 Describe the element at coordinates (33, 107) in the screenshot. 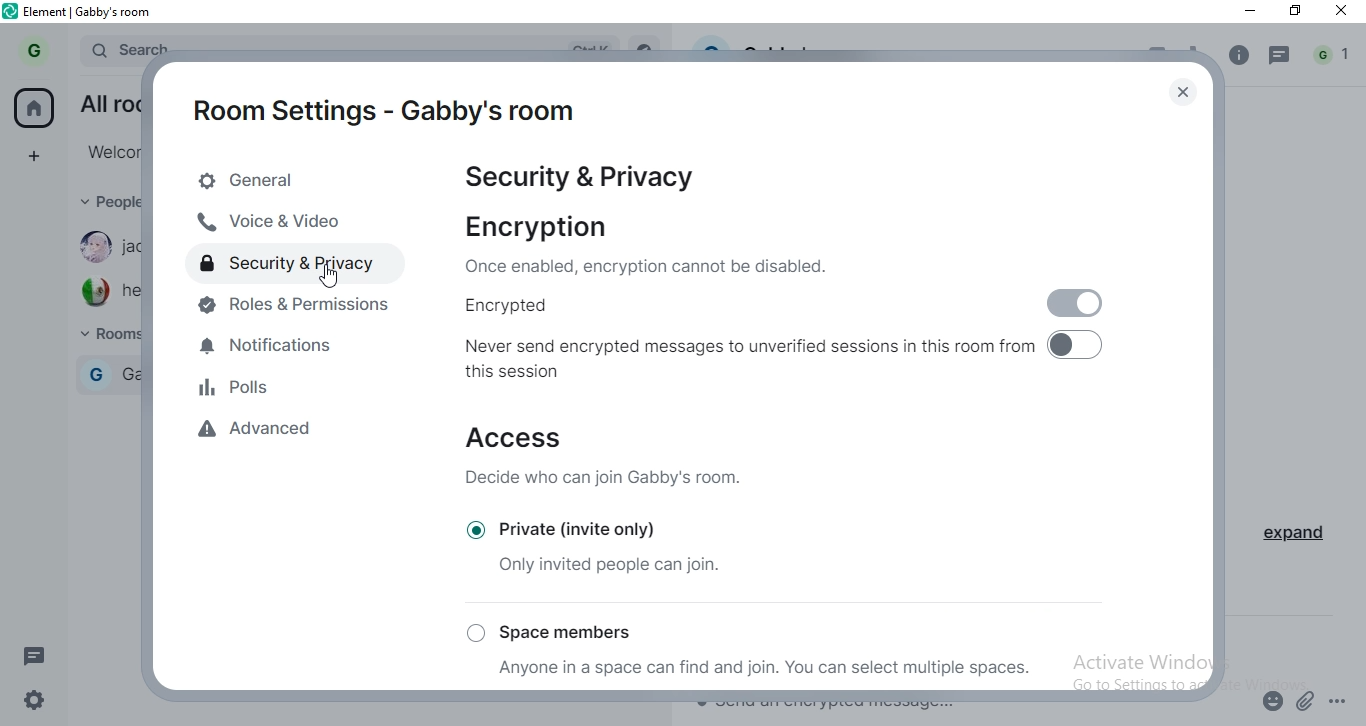

I see `home` at that location.